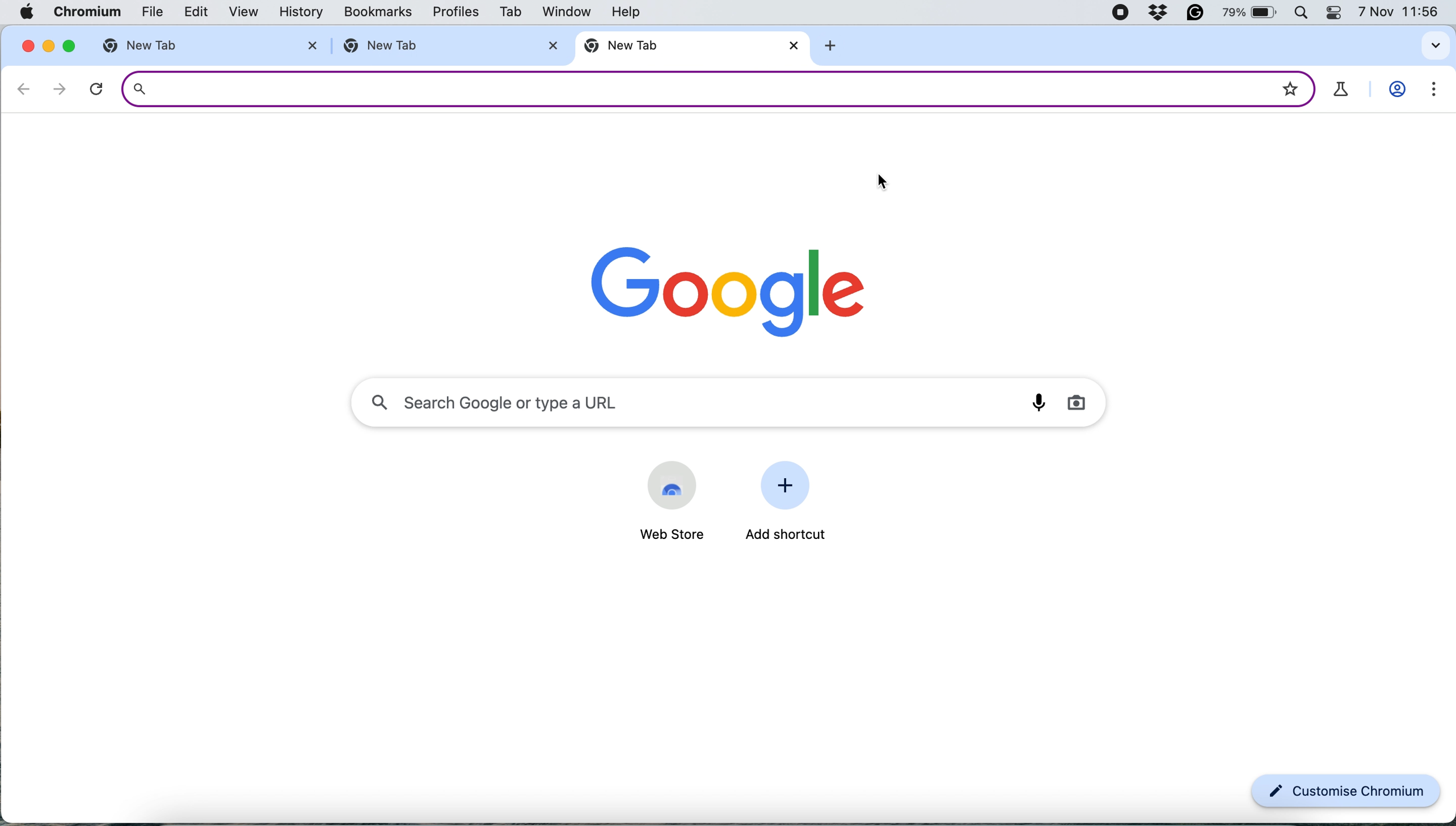  I want to click on google, so click(731, 287).